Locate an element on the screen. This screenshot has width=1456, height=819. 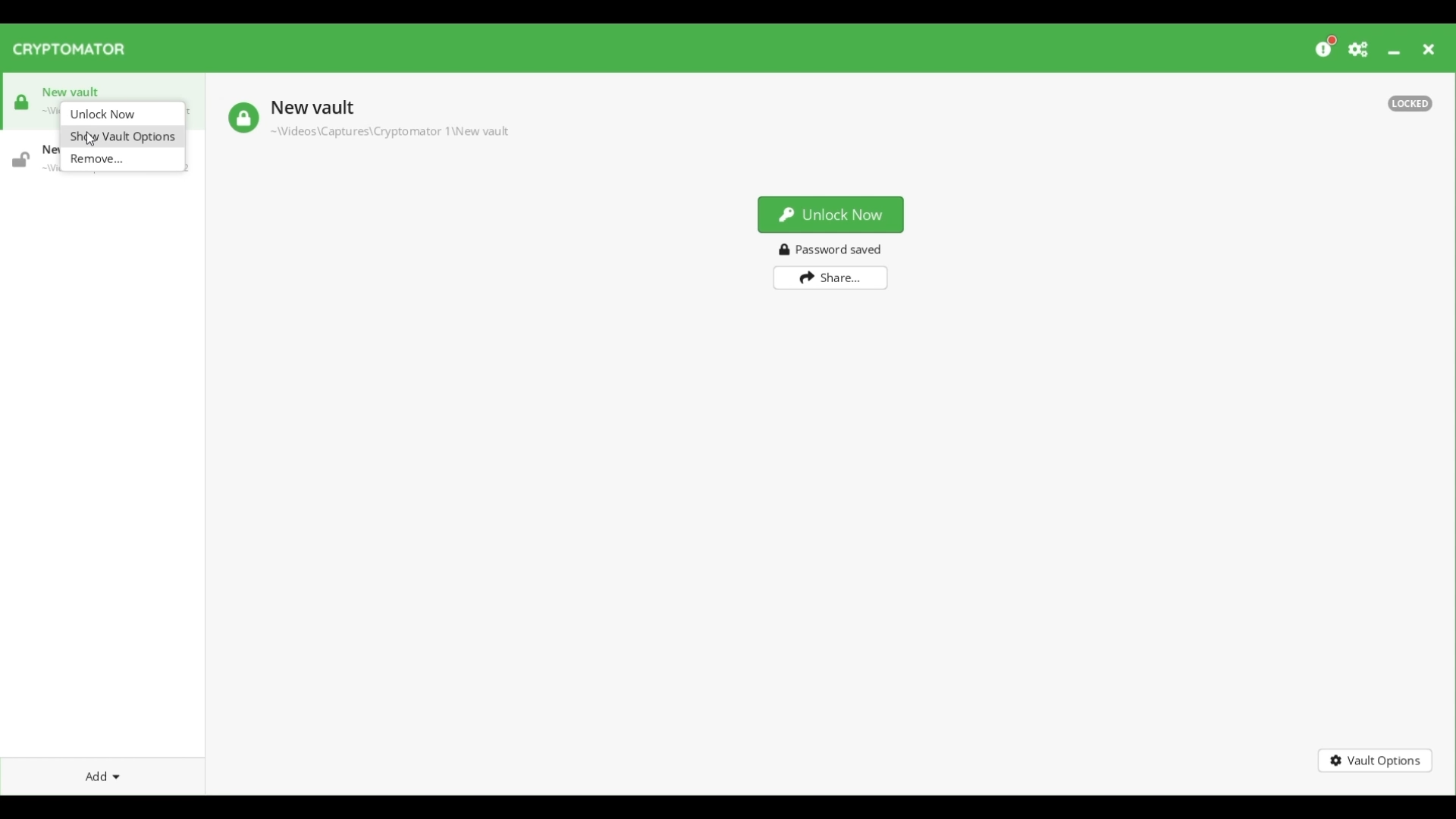
Cursor clicking on vault options is located at coordinates (89, 139).